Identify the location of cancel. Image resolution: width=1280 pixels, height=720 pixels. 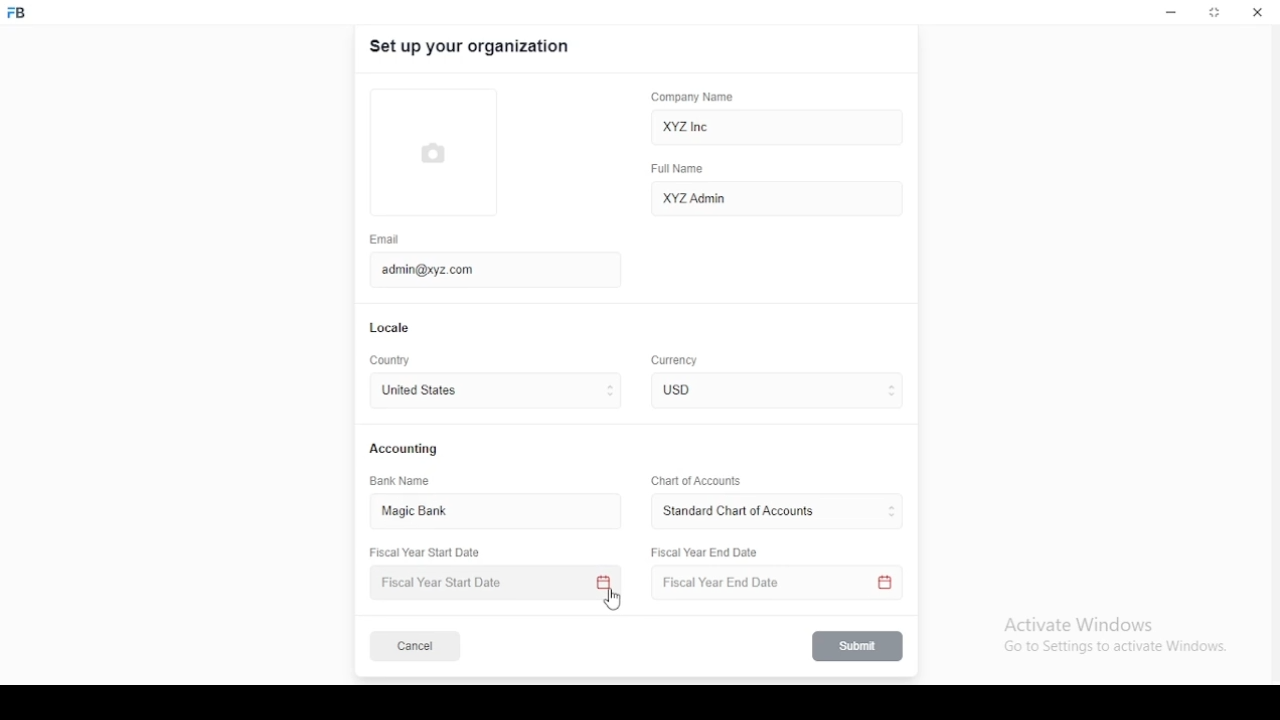
(415, 647).